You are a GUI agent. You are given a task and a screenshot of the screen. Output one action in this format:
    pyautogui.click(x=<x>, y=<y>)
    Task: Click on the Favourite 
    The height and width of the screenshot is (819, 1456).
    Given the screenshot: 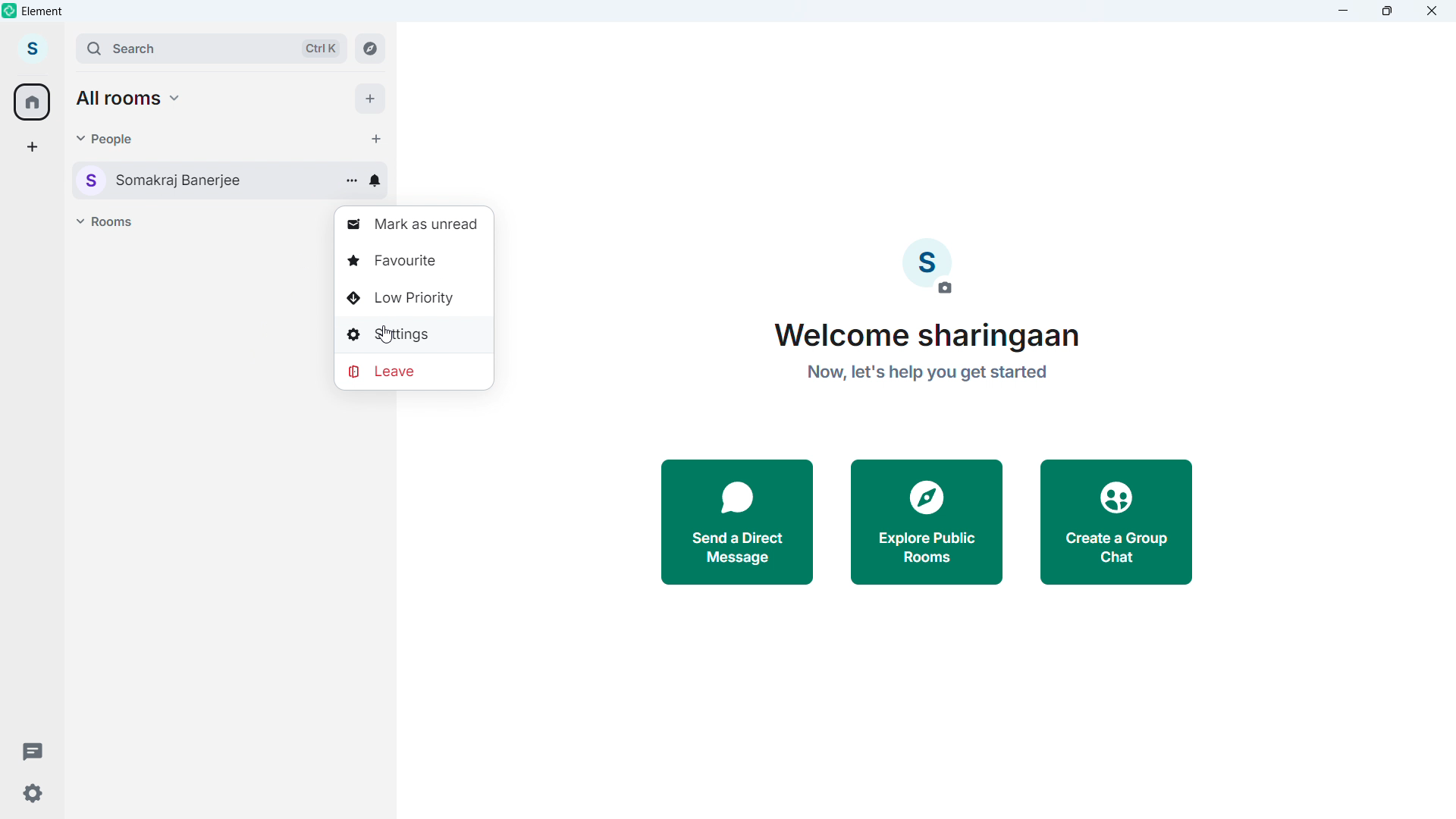 What is the action you would take?
    pyautogui.click(x=413, y=260)
    